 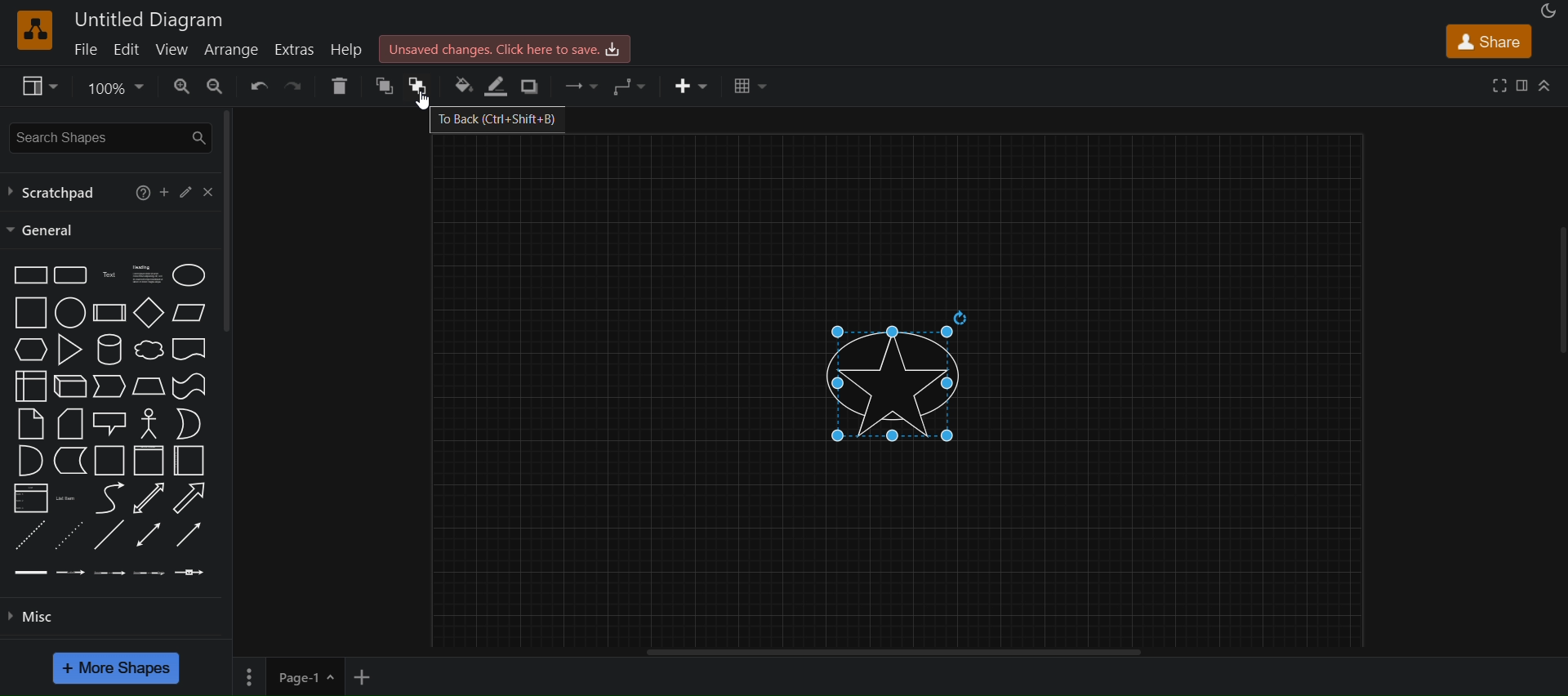 What do you see at coordinates (189, 274) in the screenshot?
I see `ellipse` at bounding box center [189, 274].